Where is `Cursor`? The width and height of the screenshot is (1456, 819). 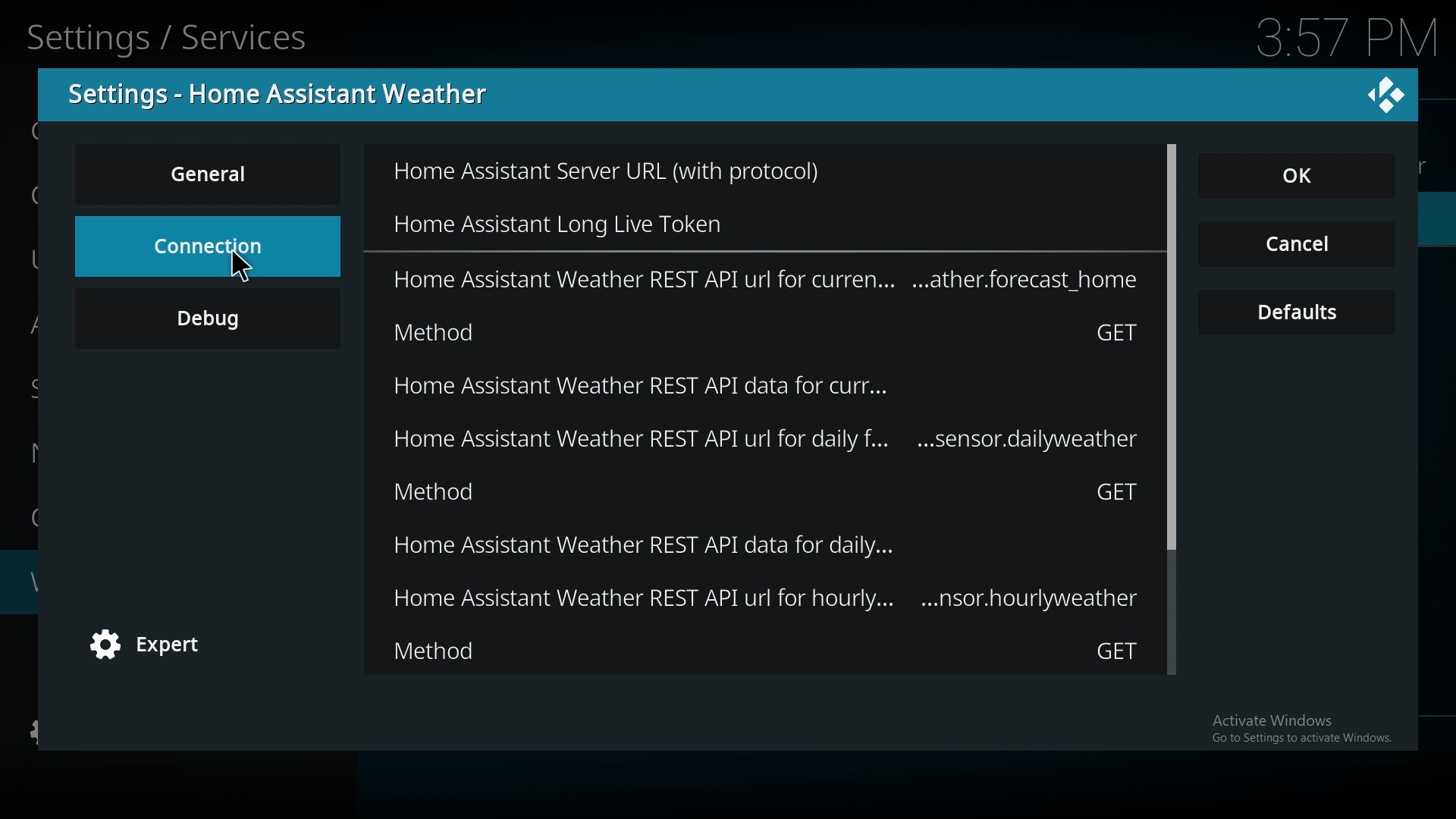 Cursor is located at coordinates (246, 275).